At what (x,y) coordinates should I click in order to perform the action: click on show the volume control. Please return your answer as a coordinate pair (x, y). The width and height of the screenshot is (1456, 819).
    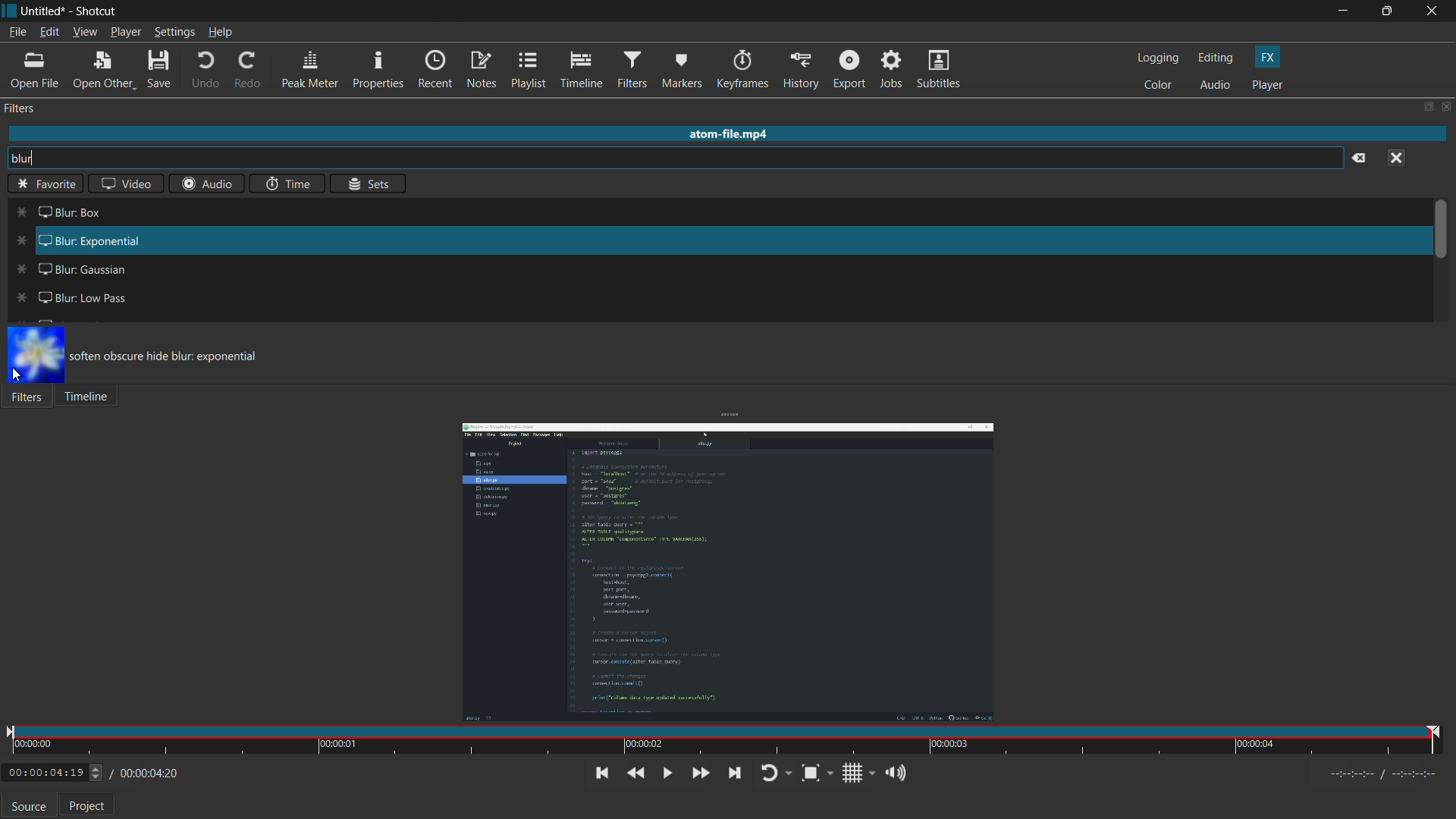
    Looking at the image, I should click on (896, 773).